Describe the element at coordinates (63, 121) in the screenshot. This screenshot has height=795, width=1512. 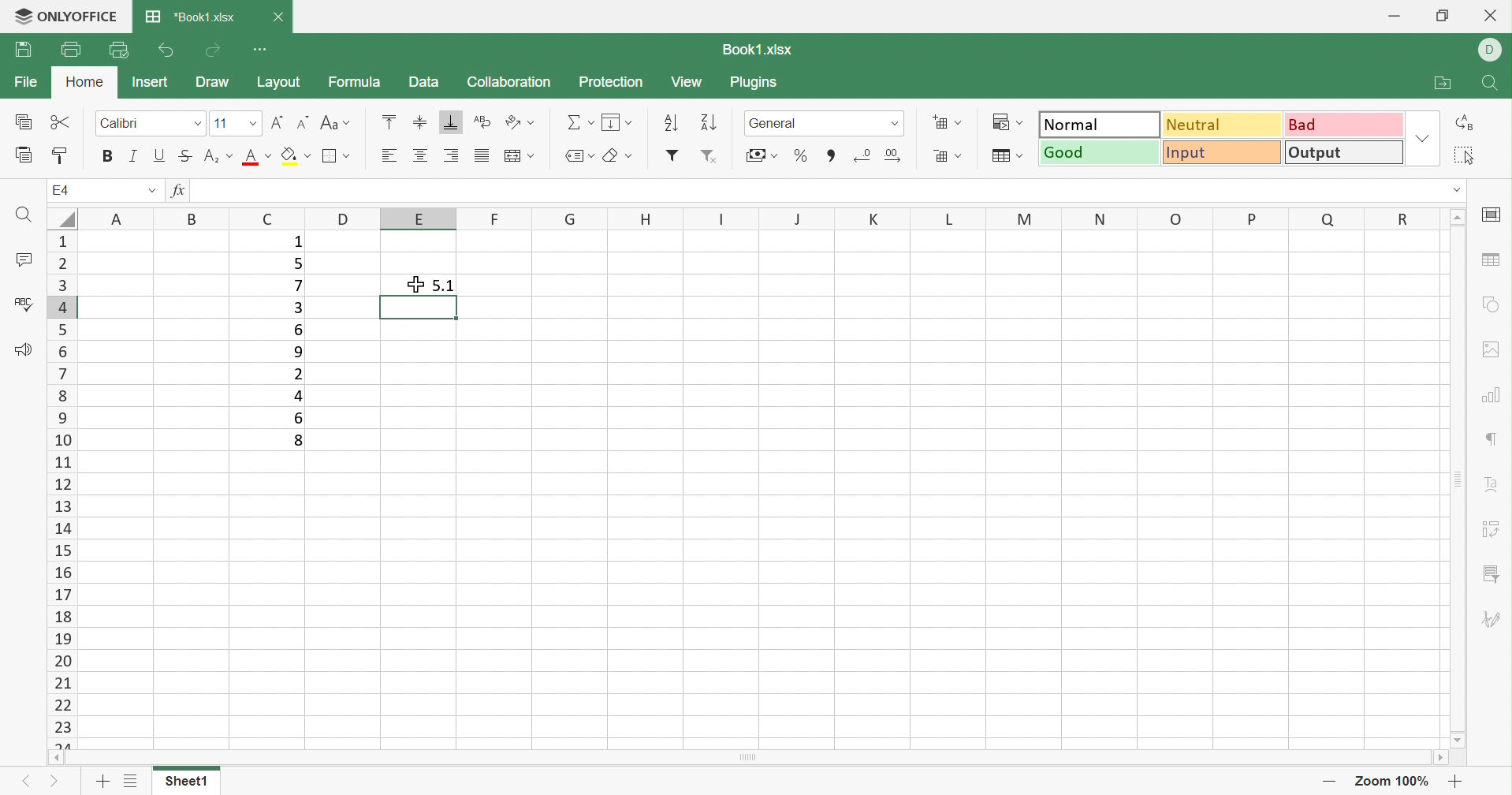
I see `Cut` at that location.